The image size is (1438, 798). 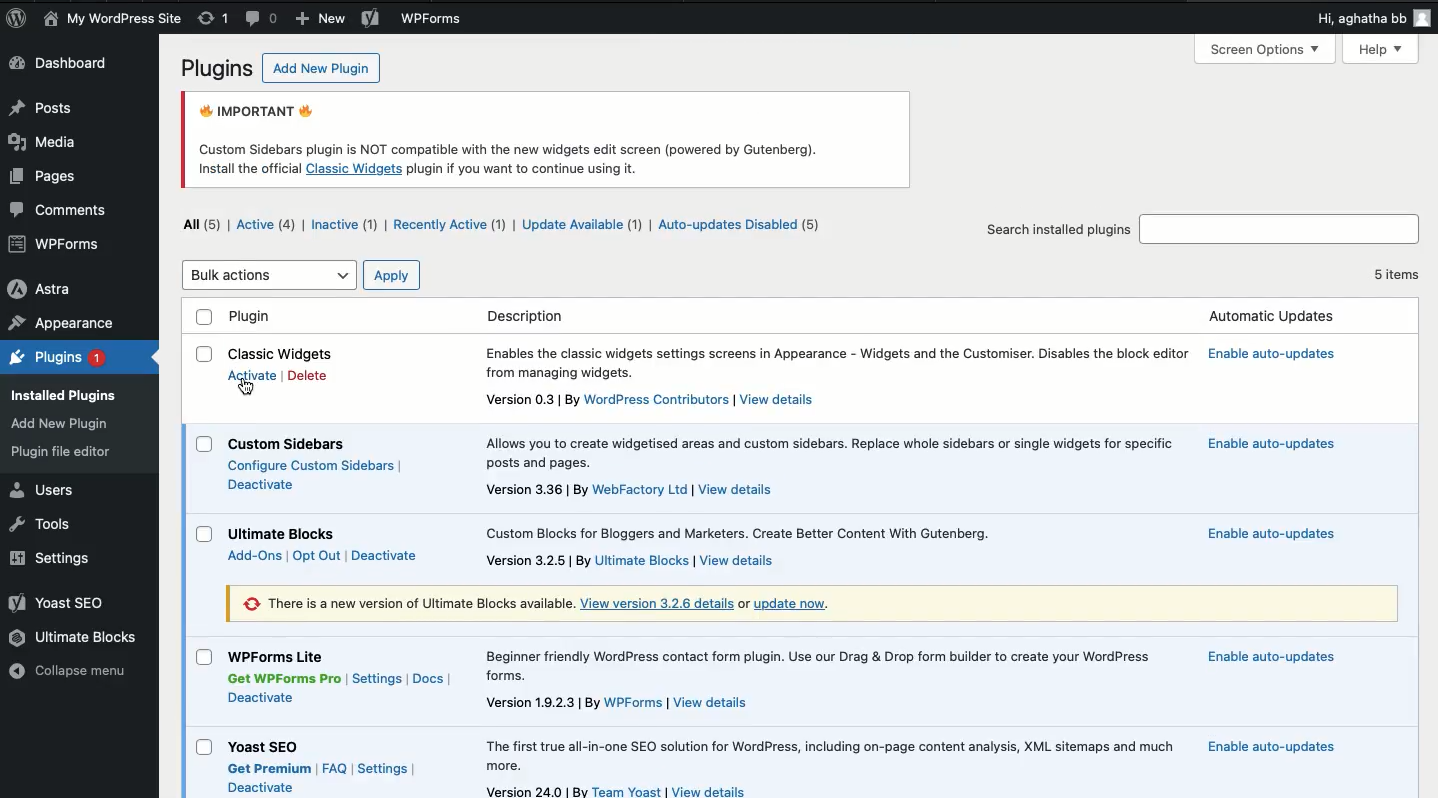 What do you see at coordinates (260, 697) in the screenshot?
I see `Deactive` at bounding box center [260, 697].